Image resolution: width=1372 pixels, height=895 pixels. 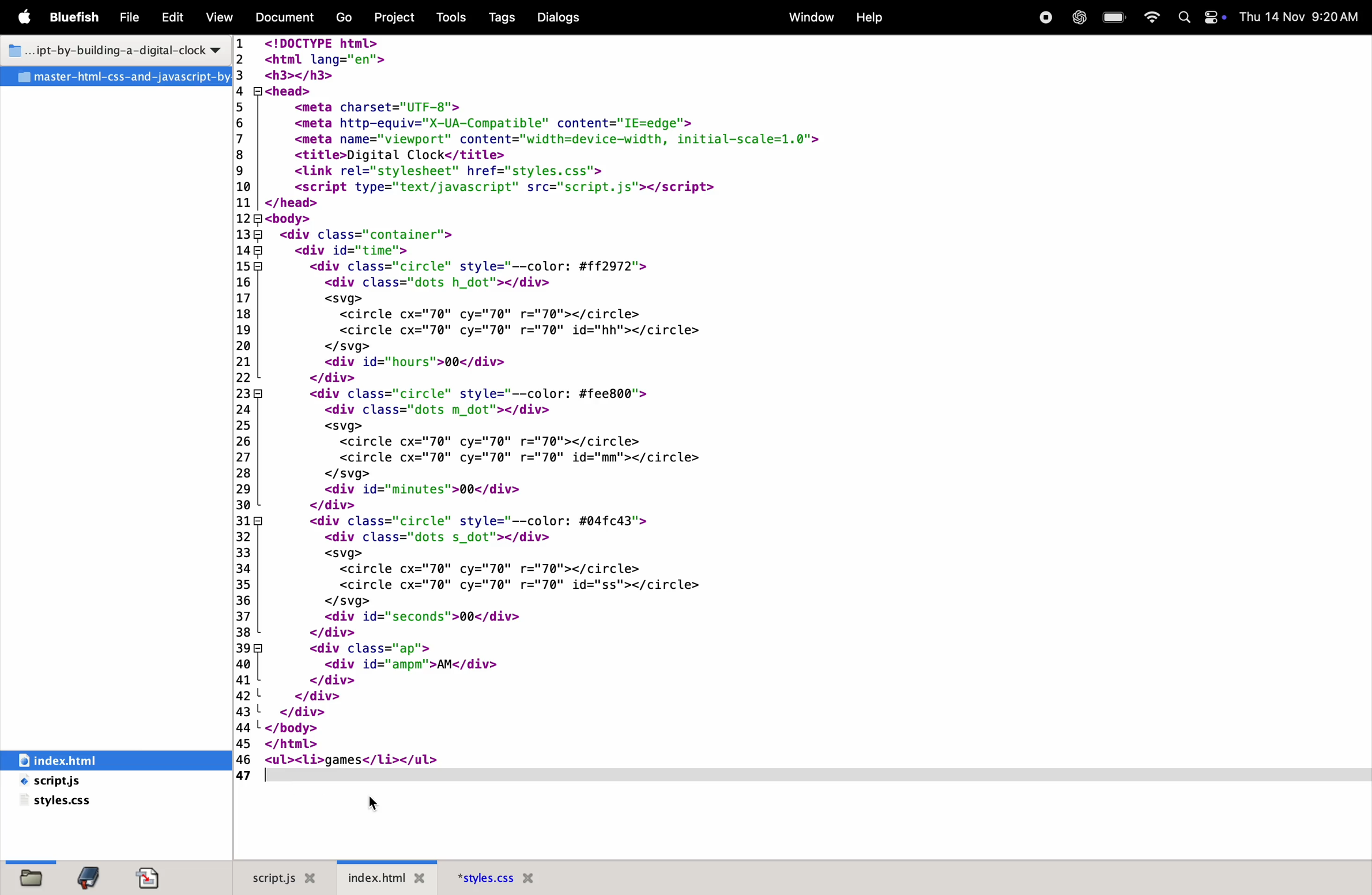 What do you see at coordinates (28, 877) in the screenshot?
I see `file` at bounding box center [28, 877].